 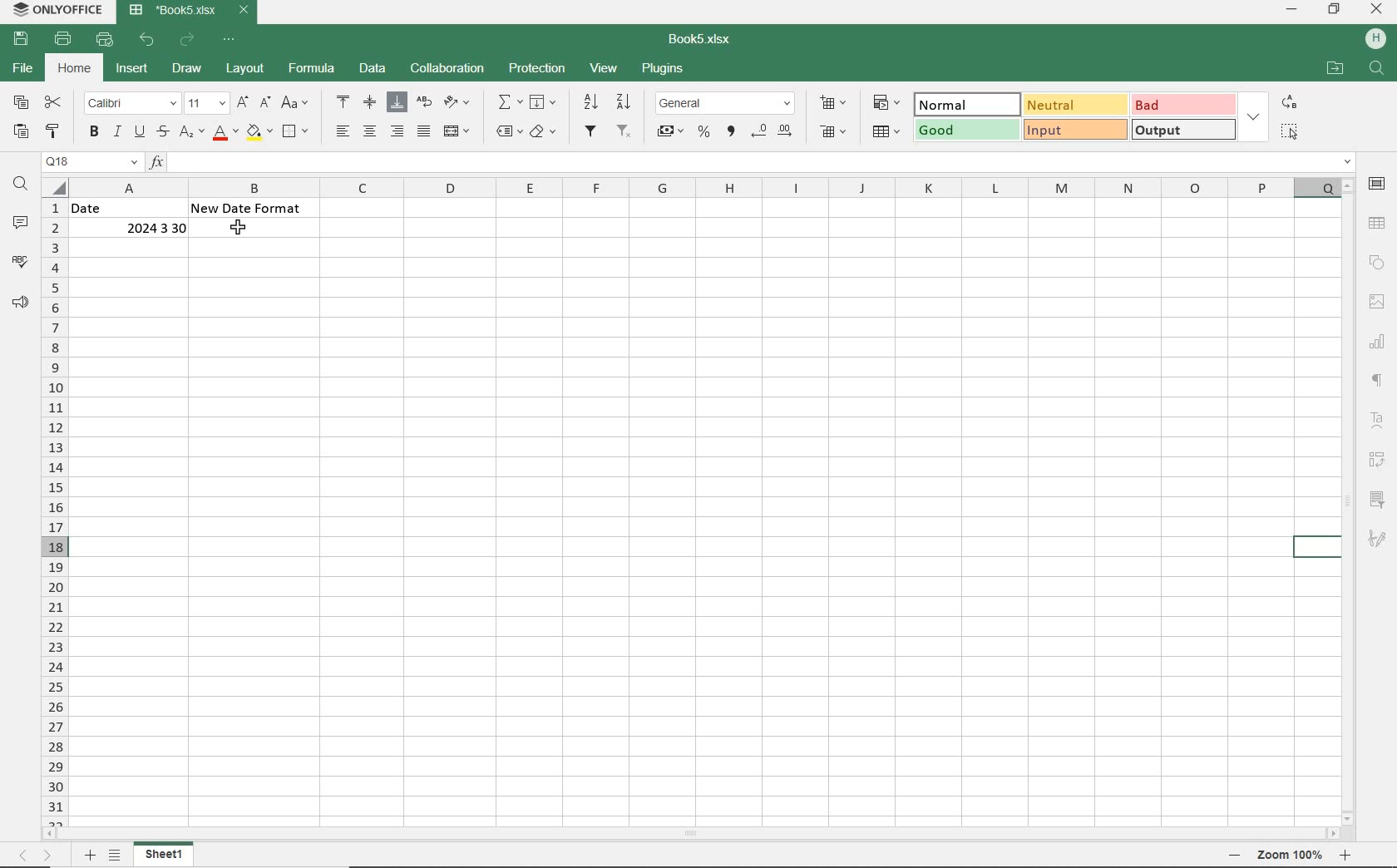 What do you see at coordinates (21, 222) in the screenshot?
I see `COMMENTS` at bounding box center [21, 222].